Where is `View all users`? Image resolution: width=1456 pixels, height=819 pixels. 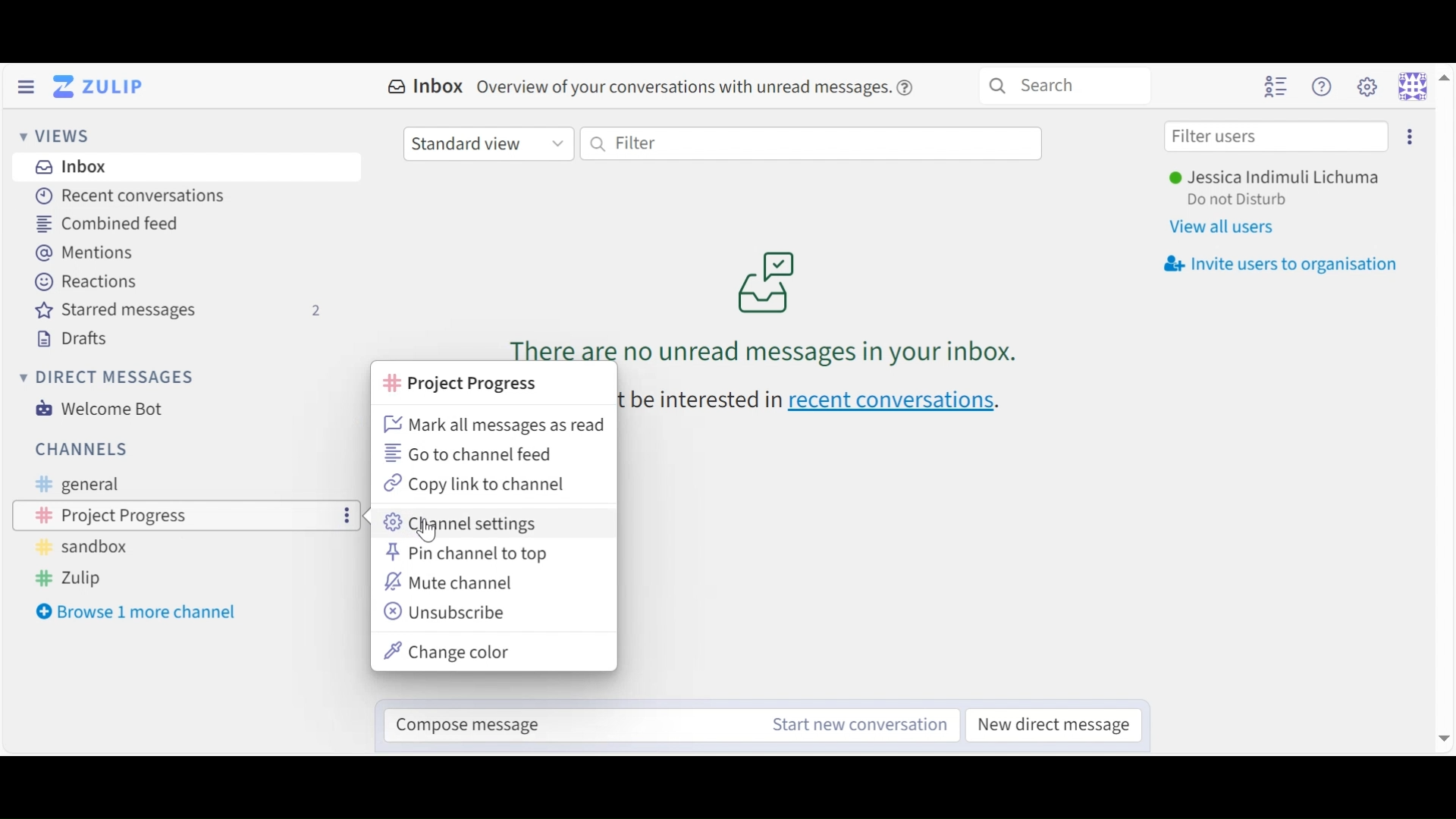 View all users is located at coordinates (1228, 229).